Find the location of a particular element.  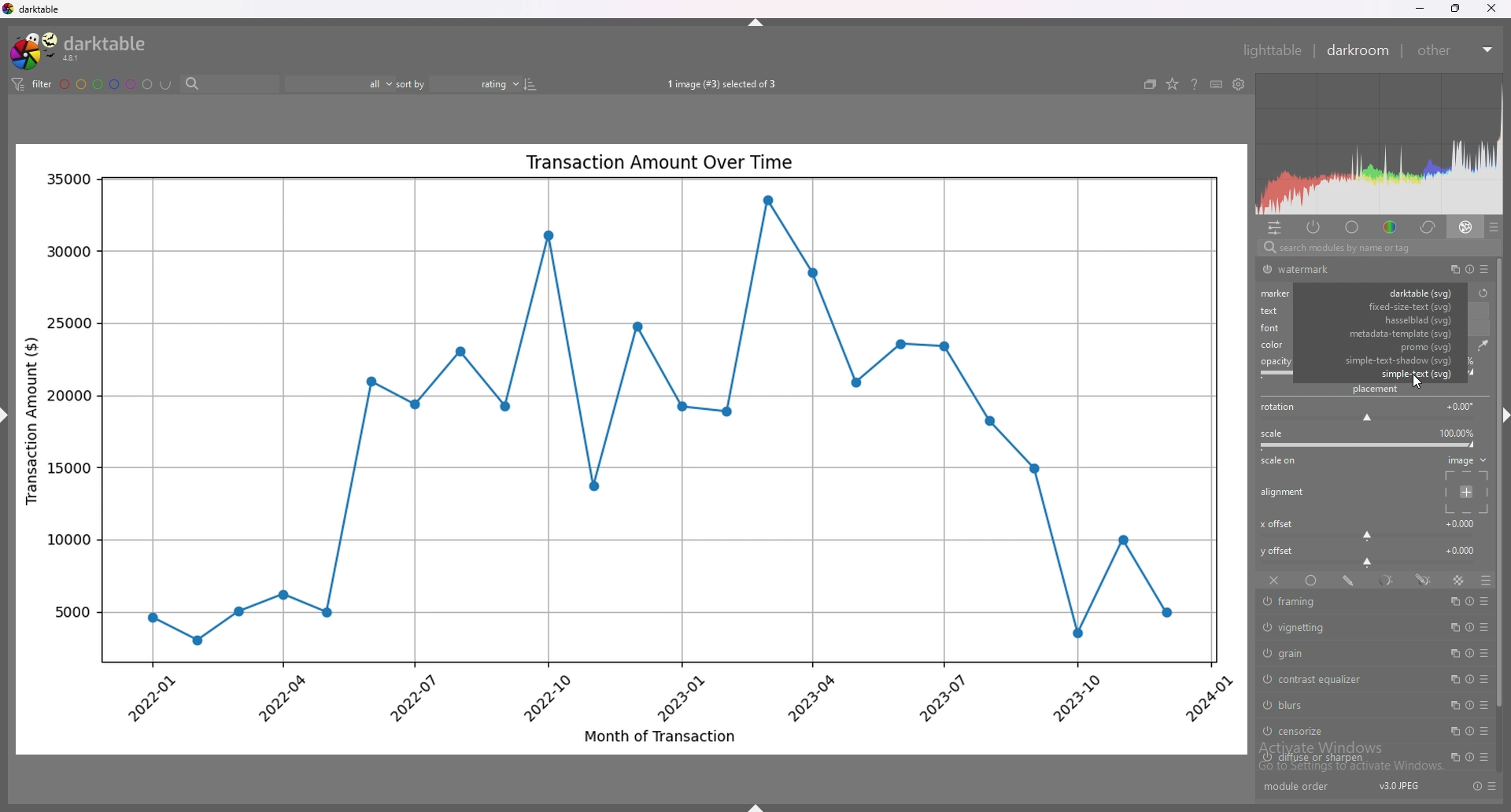

darktable is located at coordinates (79, 50).